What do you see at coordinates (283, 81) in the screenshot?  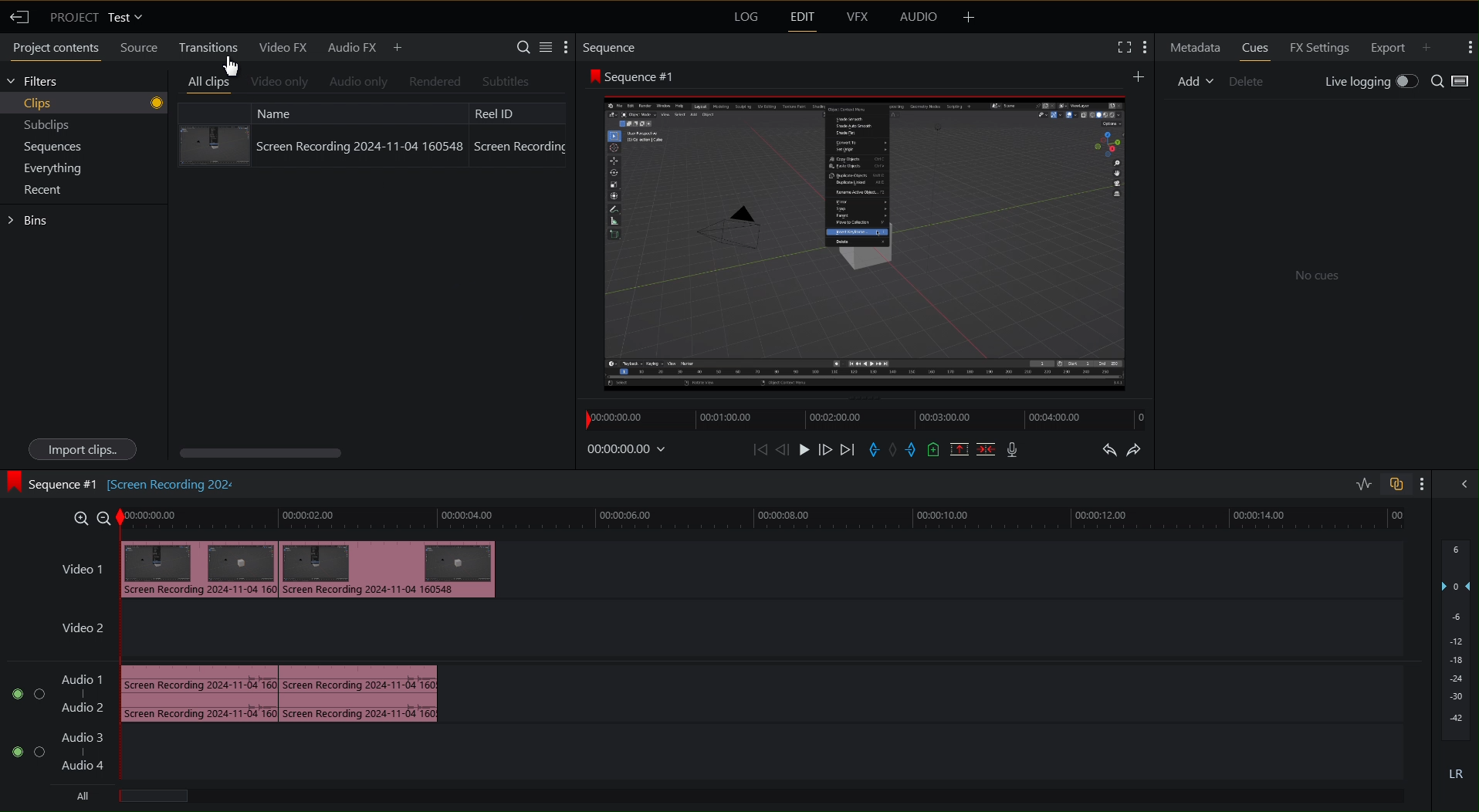 I see `Video only` at bounding box center [283, 81].